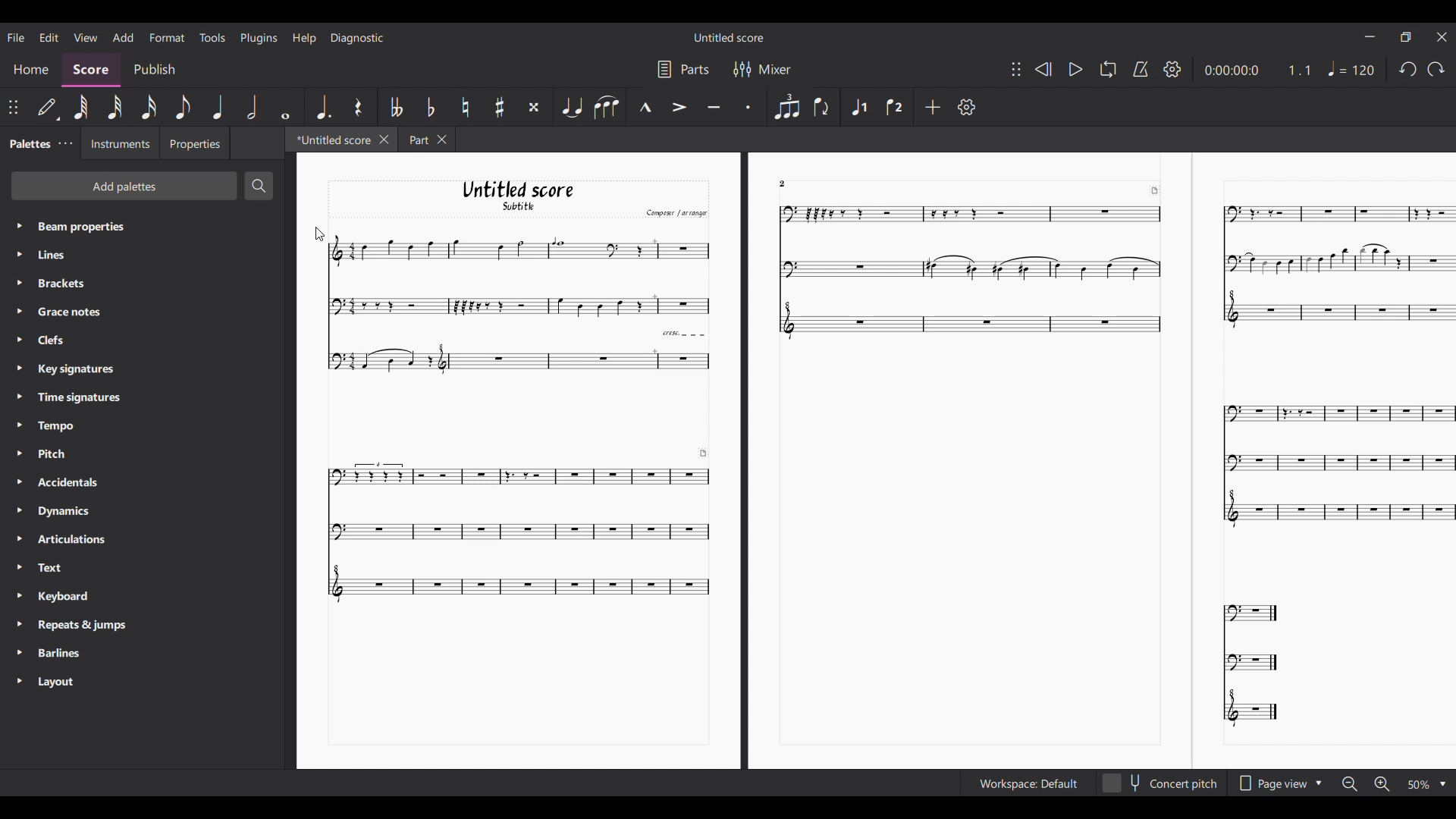  What do you see at coordinates (775, 69) in the screenshot?
I see `Mixer settings` at bounding box center [775, 69].